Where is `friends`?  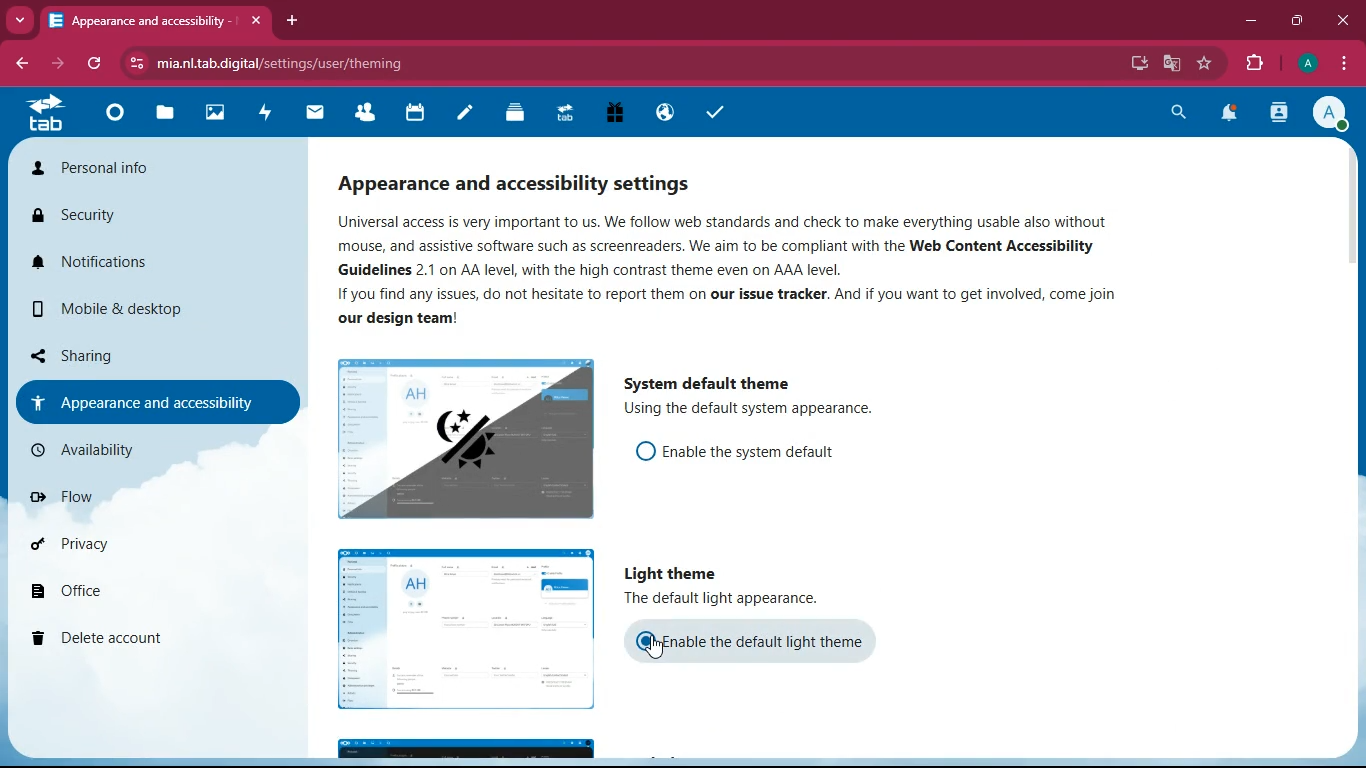
friends is located at coordinates (361, 114).